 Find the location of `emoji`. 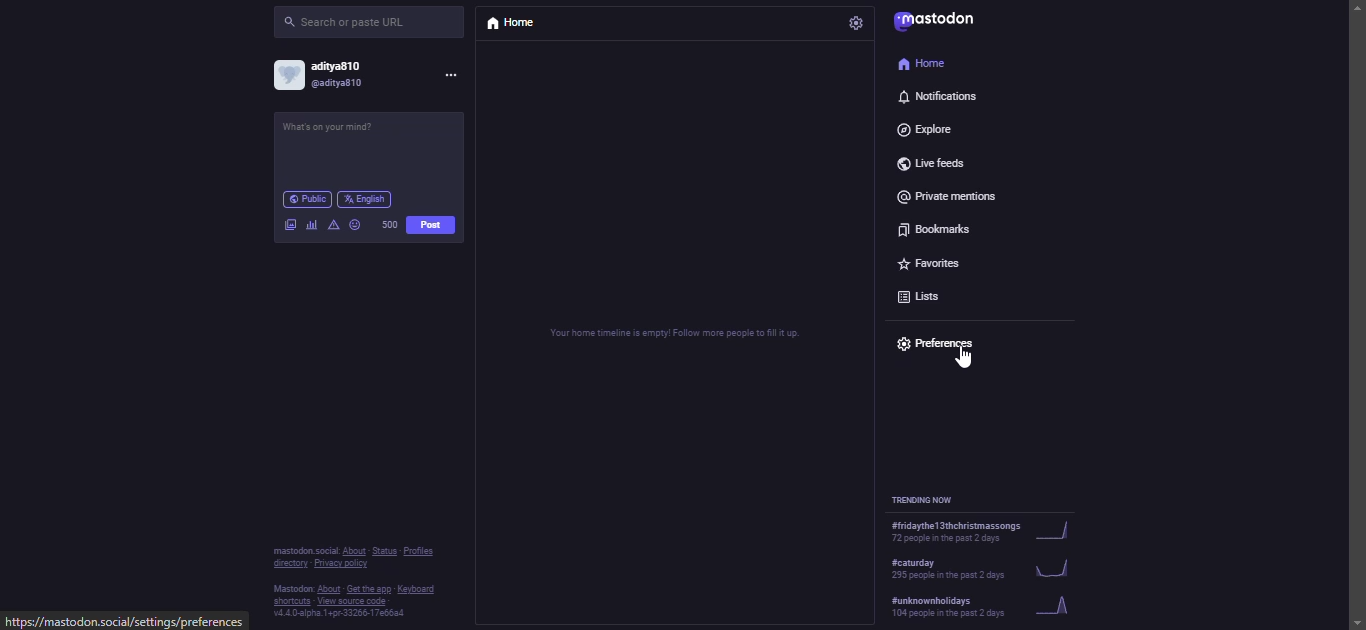

emoji is located at coordinates (356, 225).